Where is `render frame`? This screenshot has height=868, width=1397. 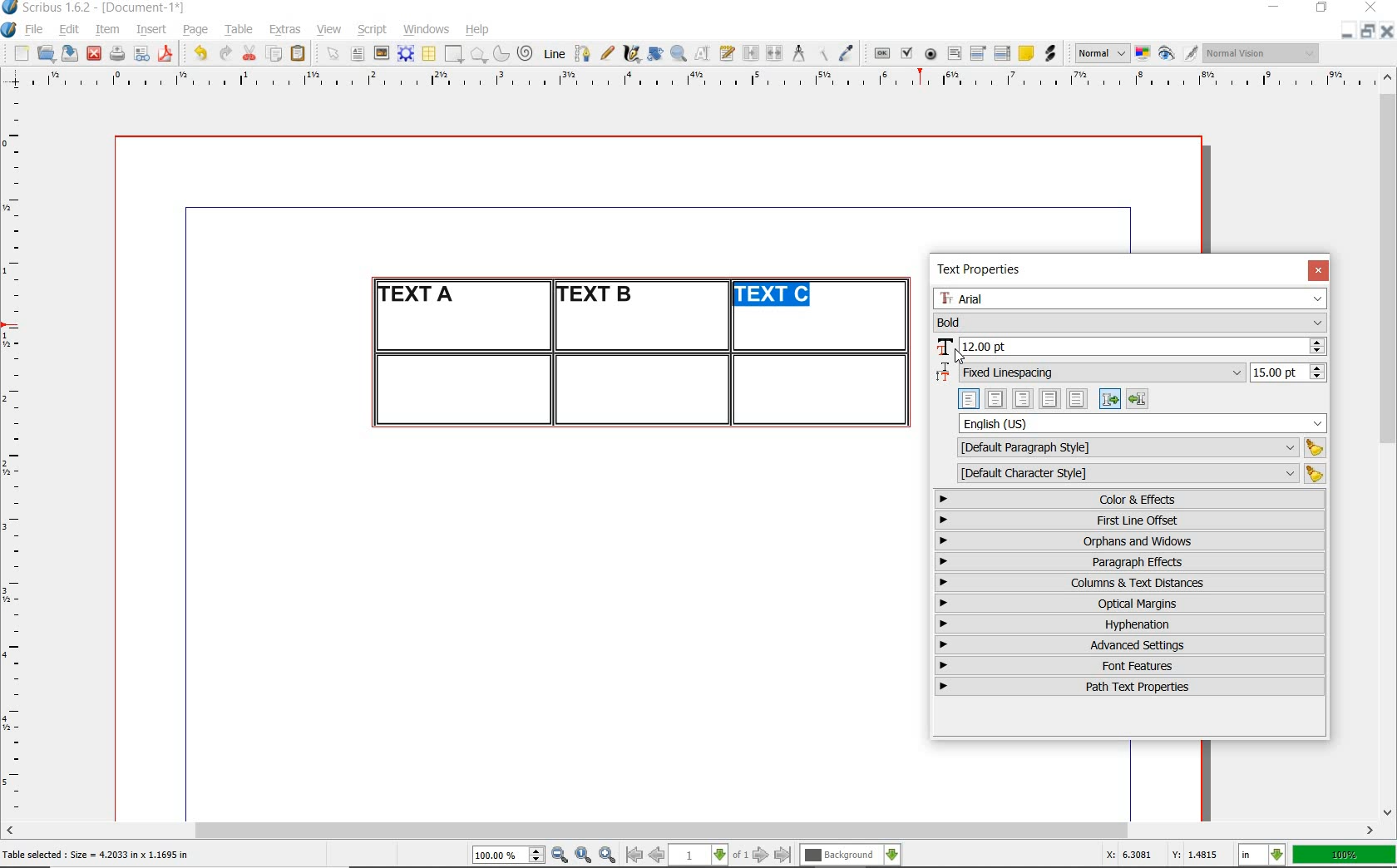
render frame is located at coordinates (406, 54).